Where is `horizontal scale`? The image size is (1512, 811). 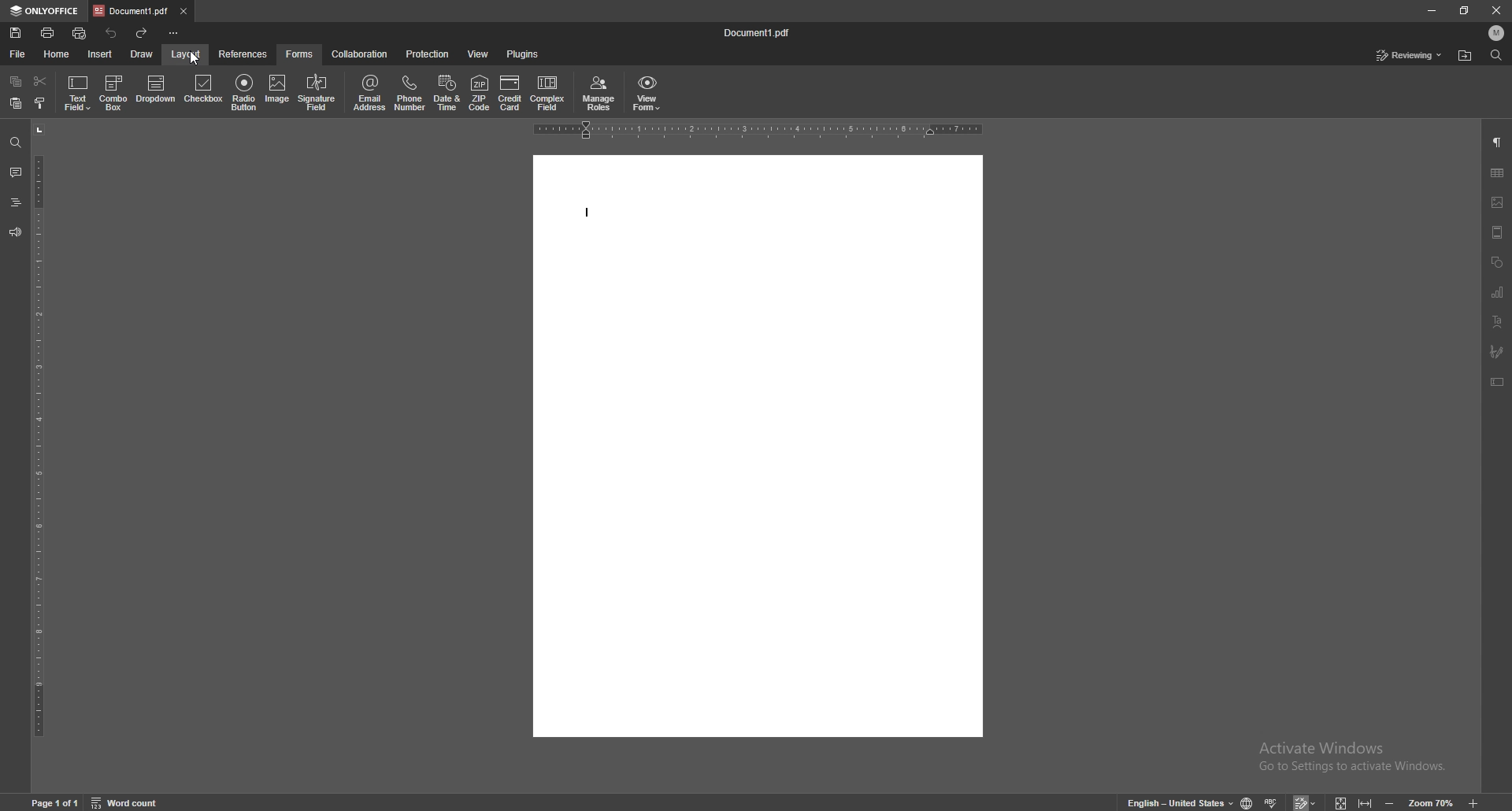
horizontal scale is located at coordinates (758, 131).